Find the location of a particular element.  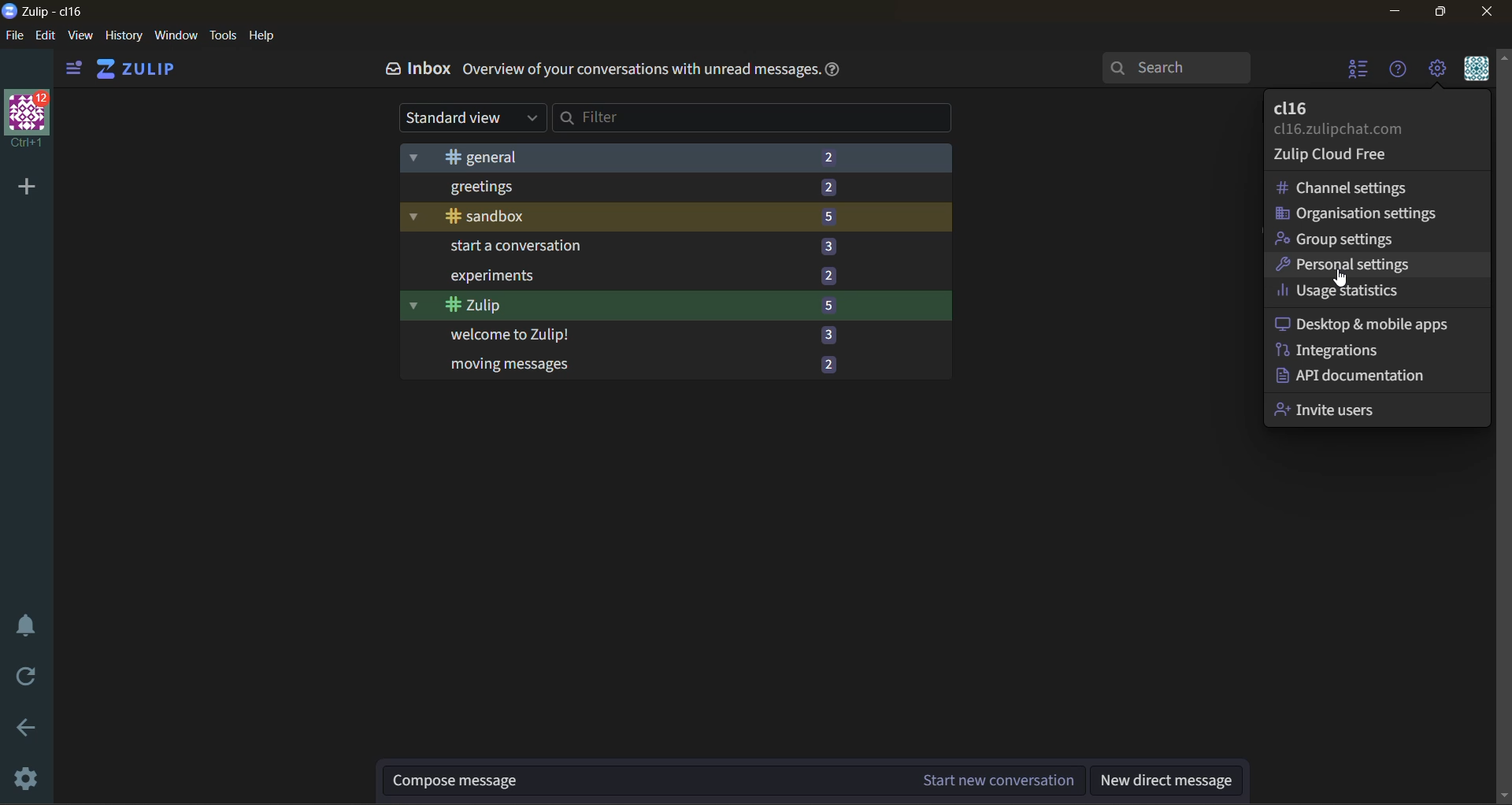

file is located at coordinates (13, 36).